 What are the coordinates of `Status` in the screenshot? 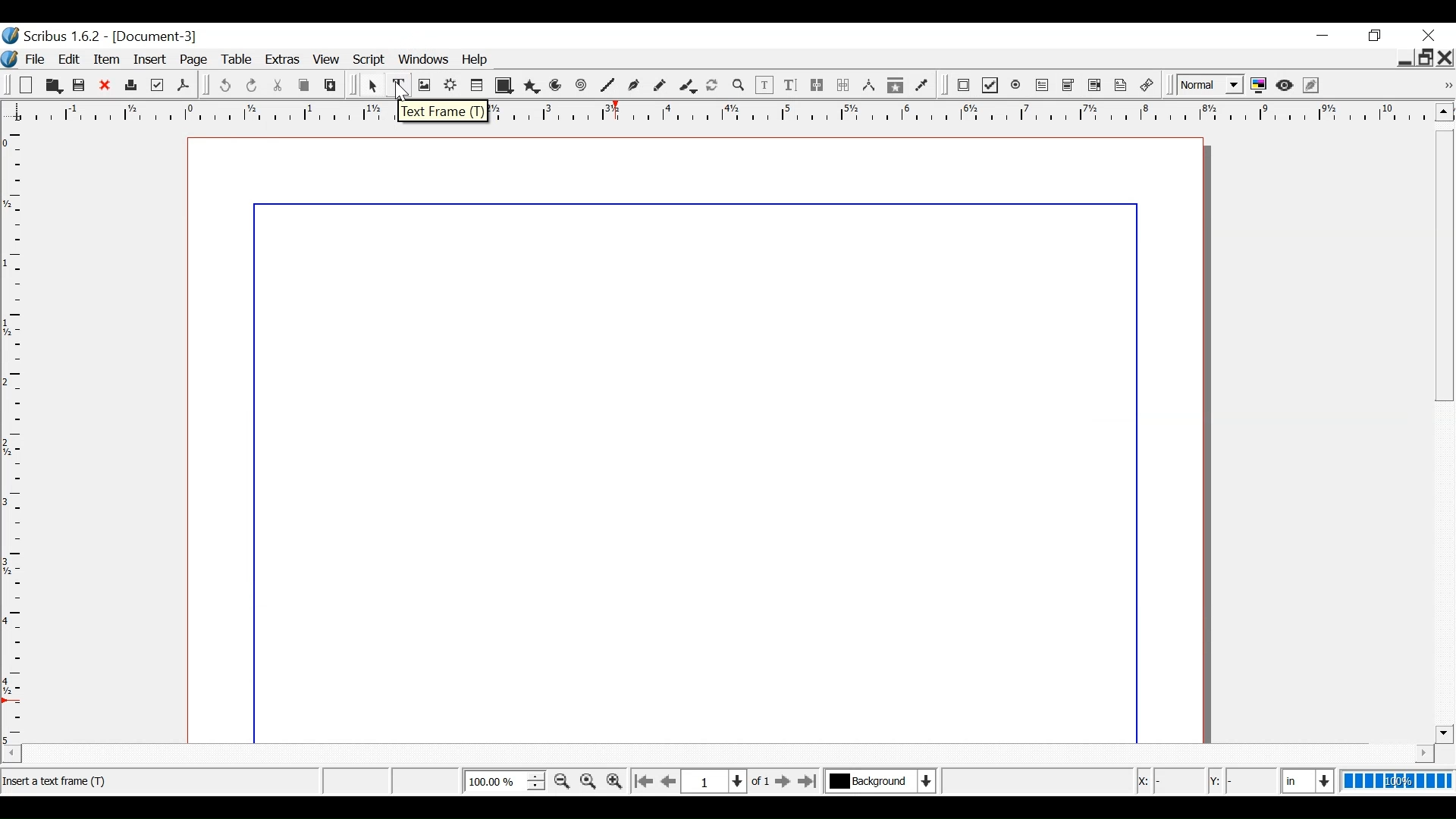 It's located at (58, 781).